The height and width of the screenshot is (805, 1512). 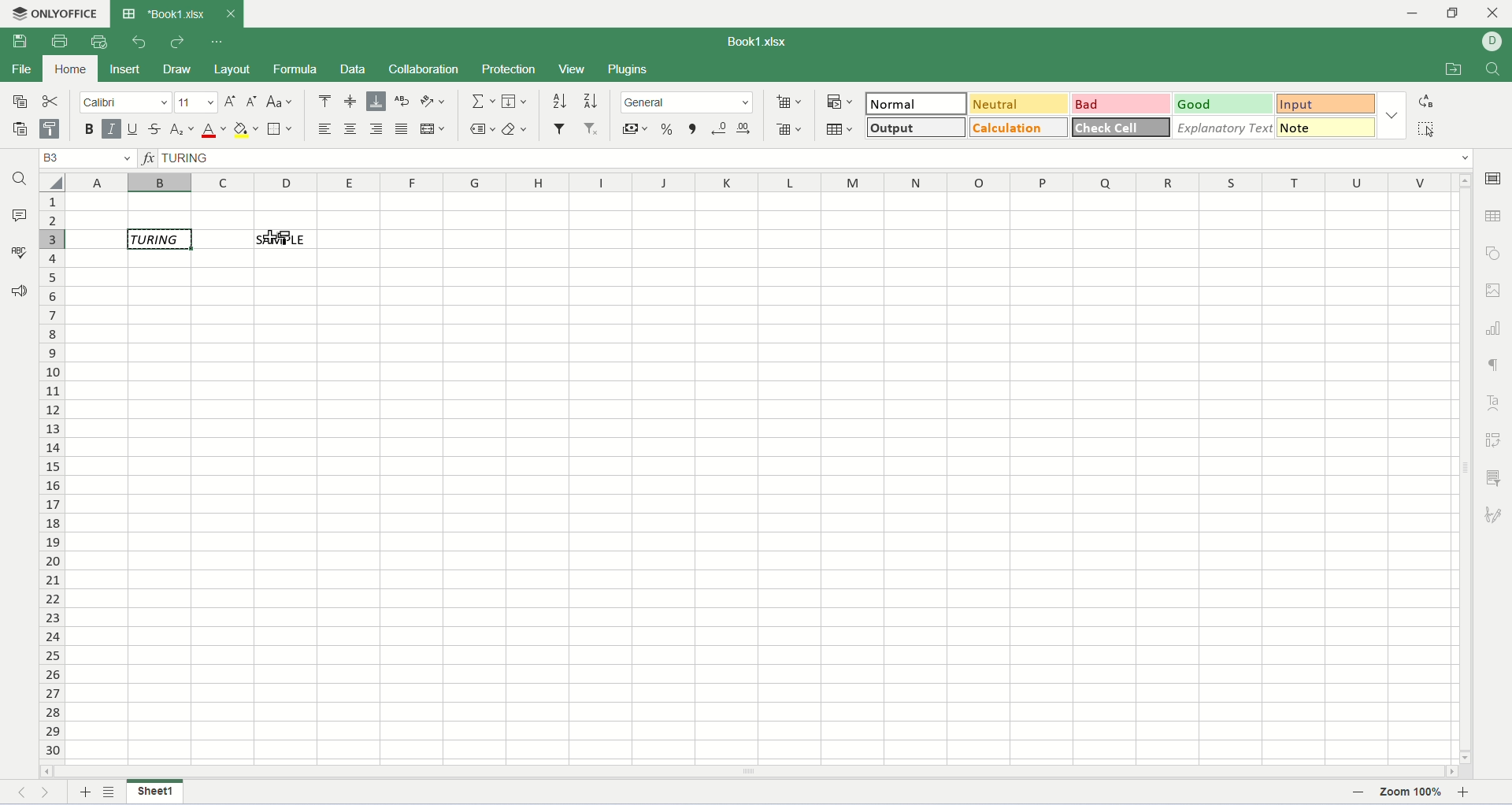 I want to click on previous, so click(x=28, y=795).